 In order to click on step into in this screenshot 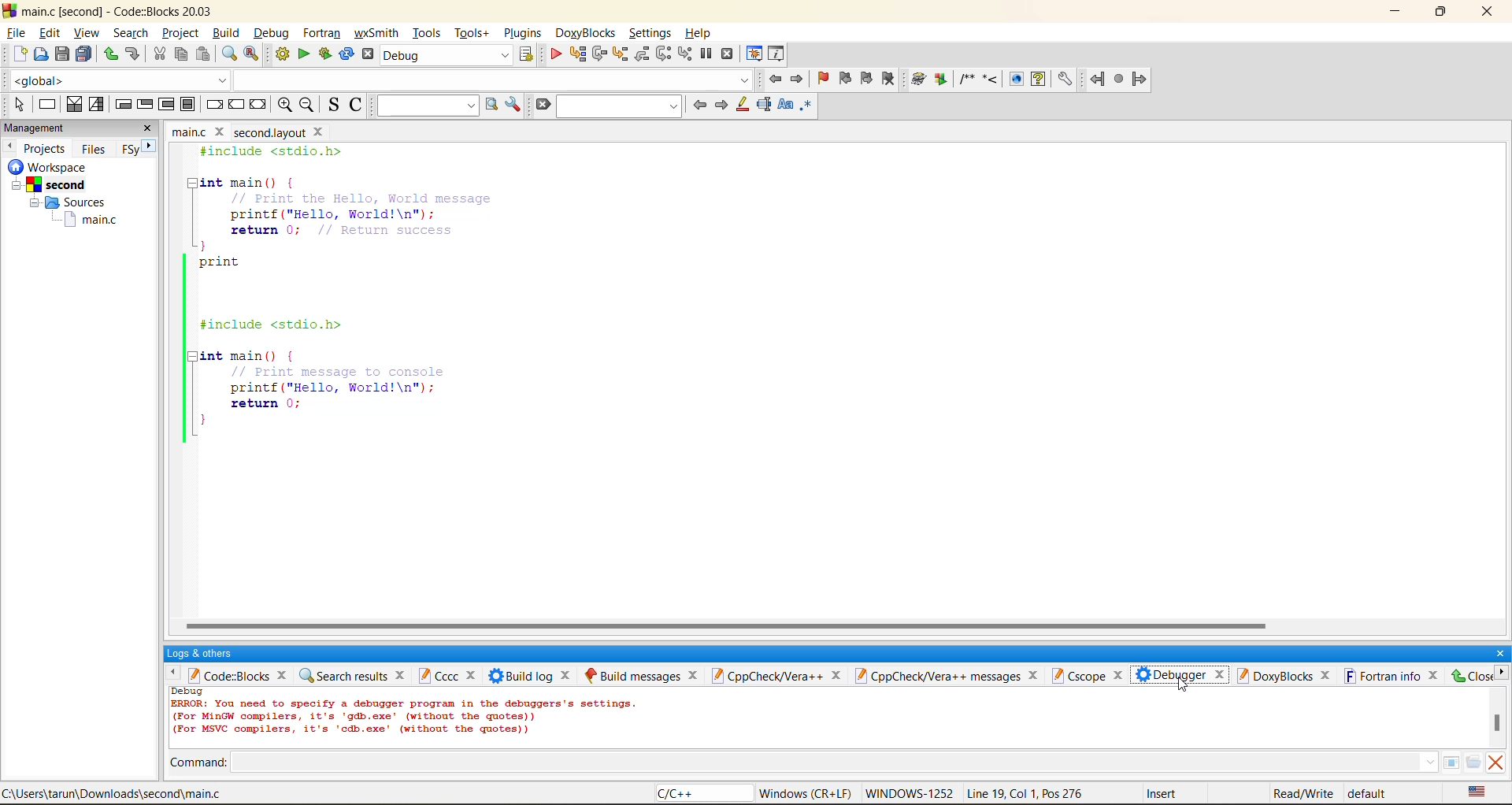, I will do `click(618, 54)`.